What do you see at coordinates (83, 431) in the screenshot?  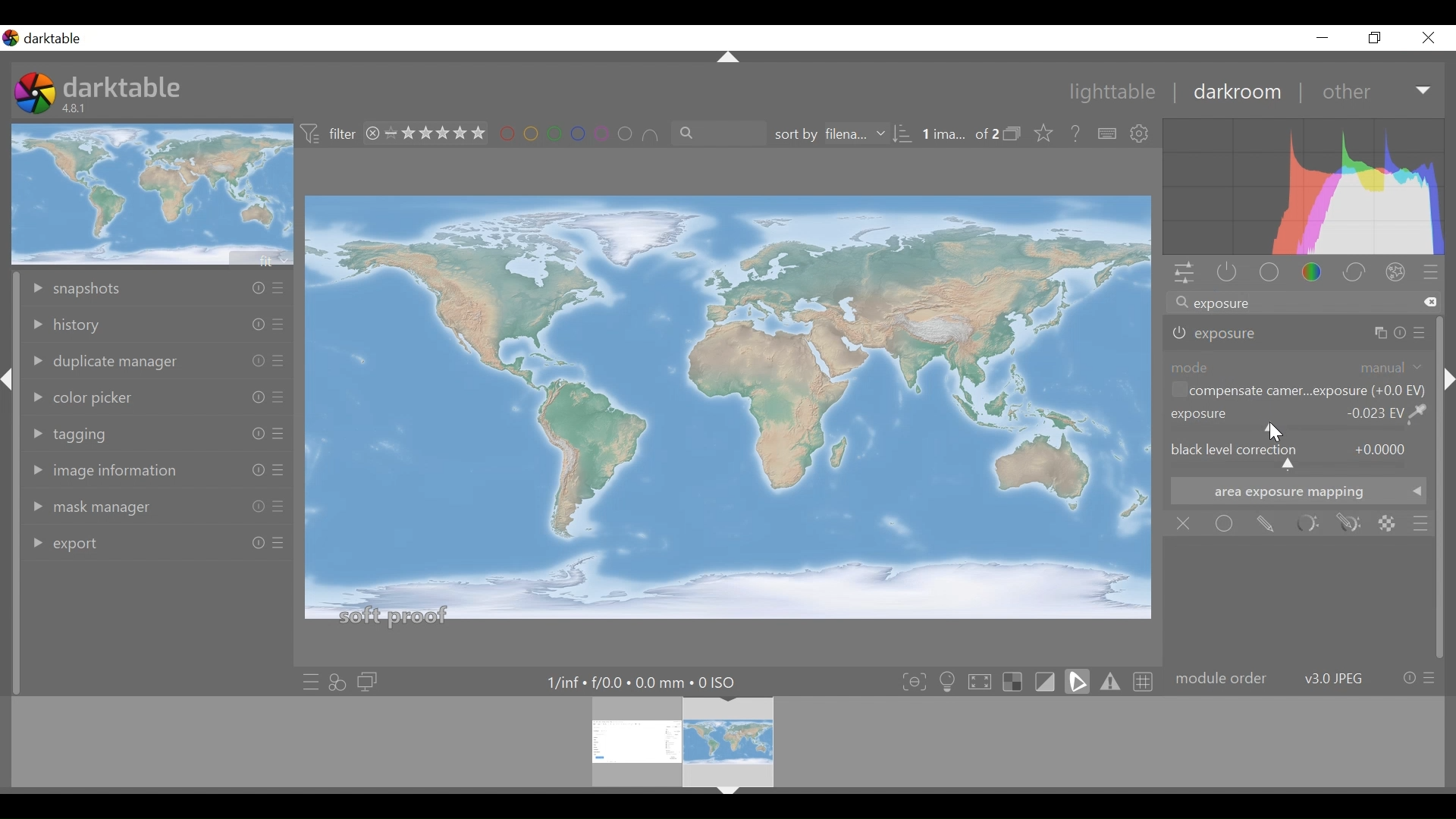 I see `tagging` at bounding box center [83, 431].